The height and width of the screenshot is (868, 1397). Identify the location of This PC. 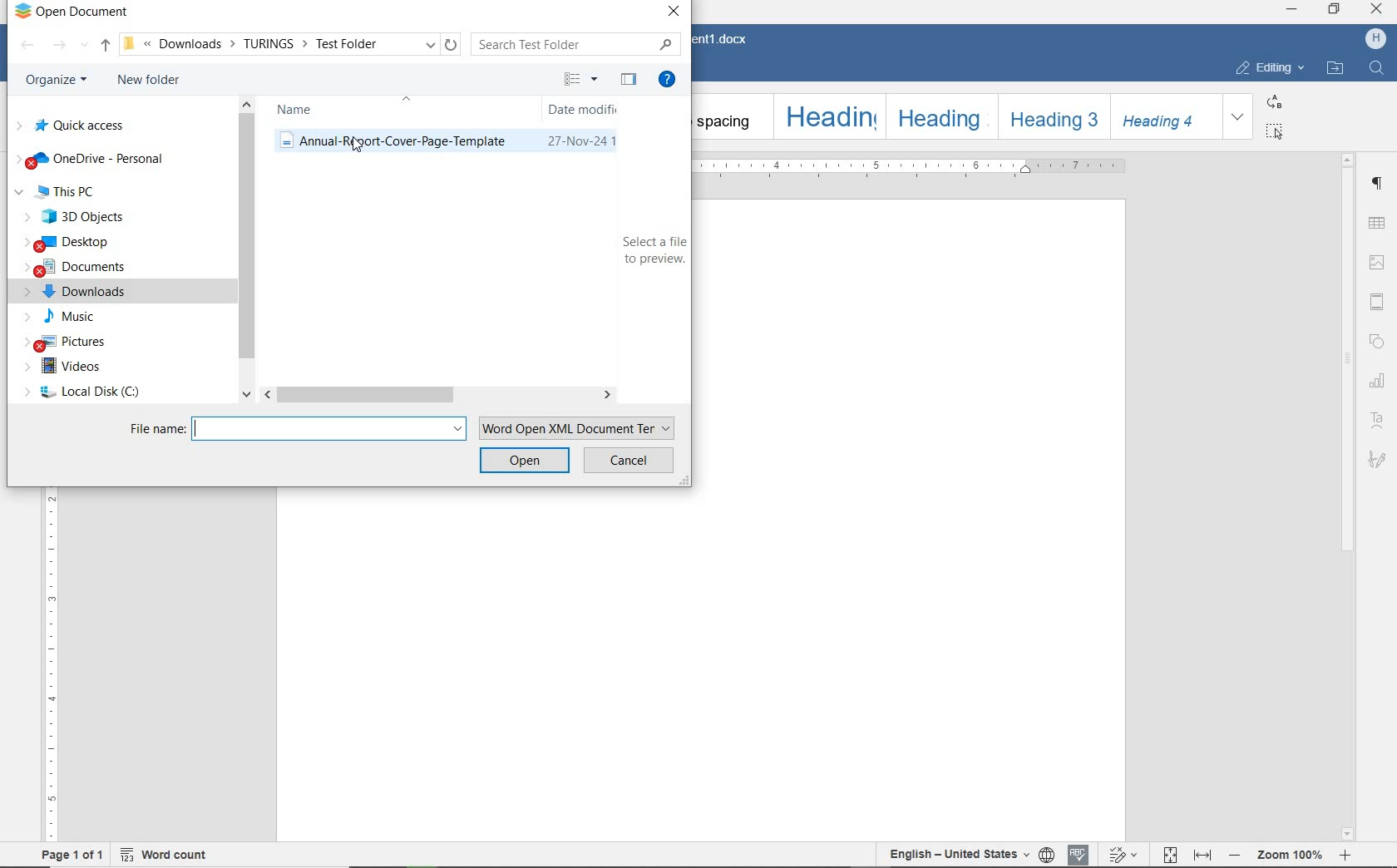
(78, 192).